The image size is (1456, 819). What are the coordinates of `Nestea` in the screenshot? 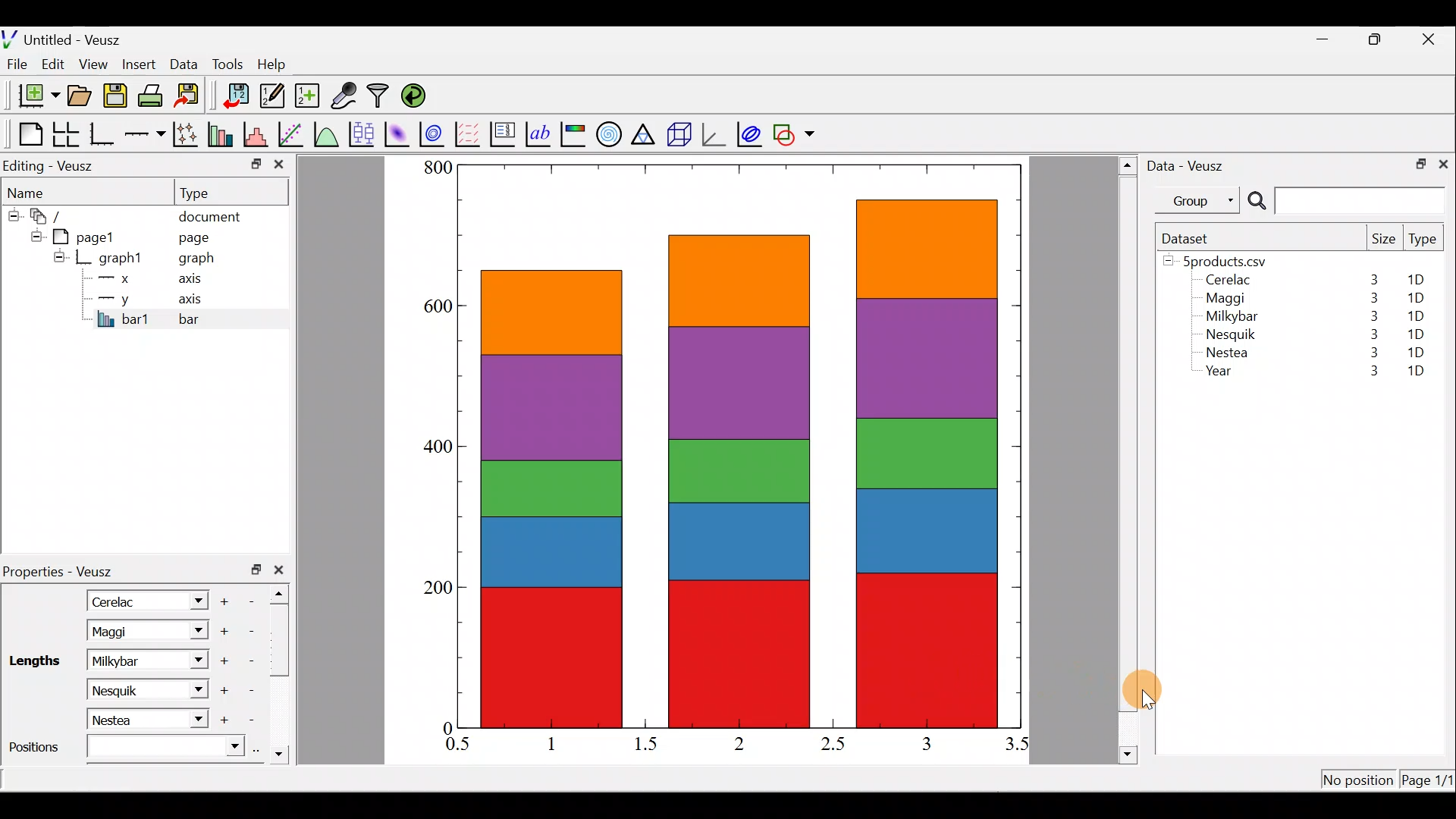 It's located at (130, 720).